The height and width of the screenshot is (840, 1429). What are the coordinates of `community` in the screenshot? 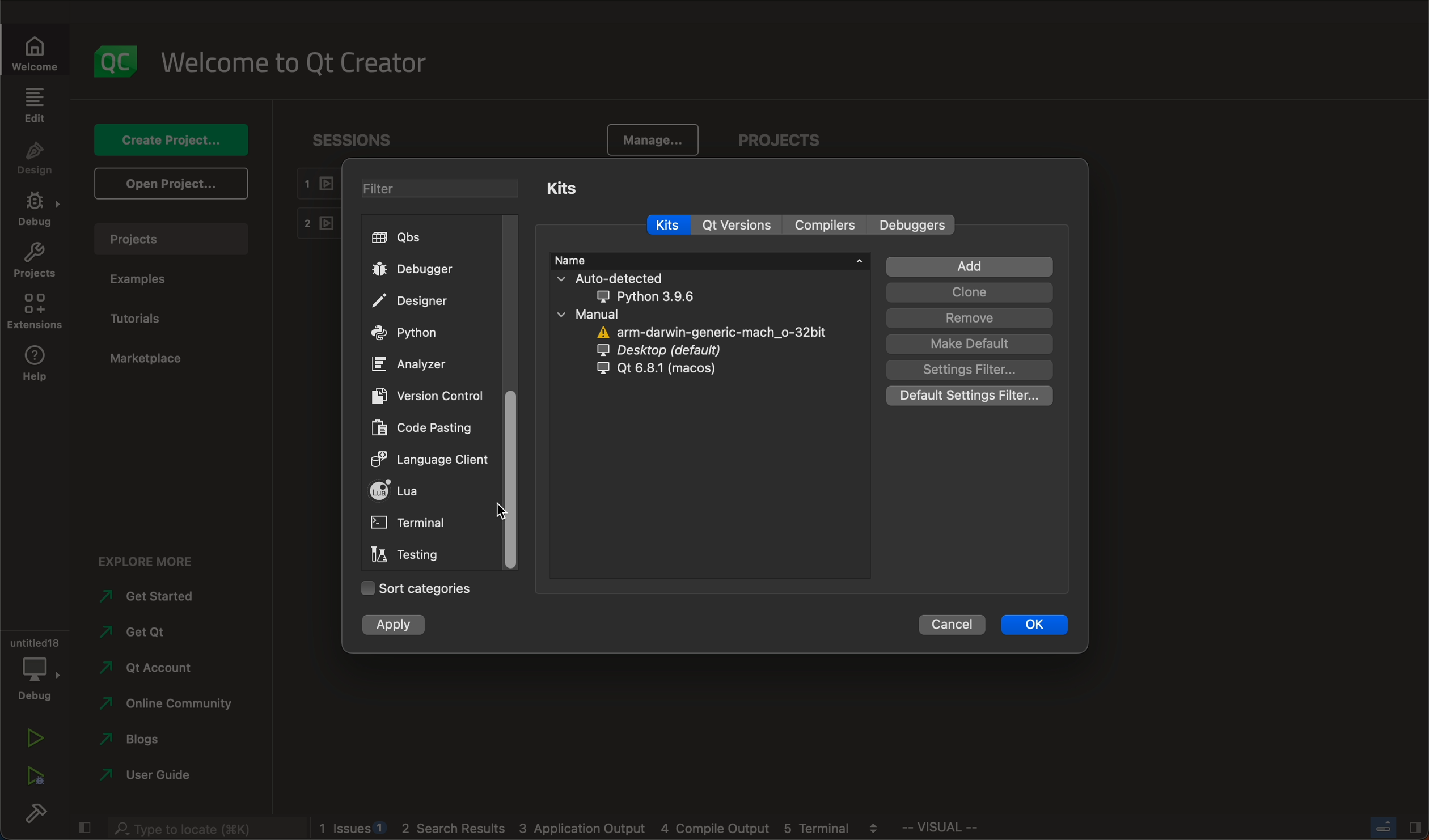 It's located at (173, 703).